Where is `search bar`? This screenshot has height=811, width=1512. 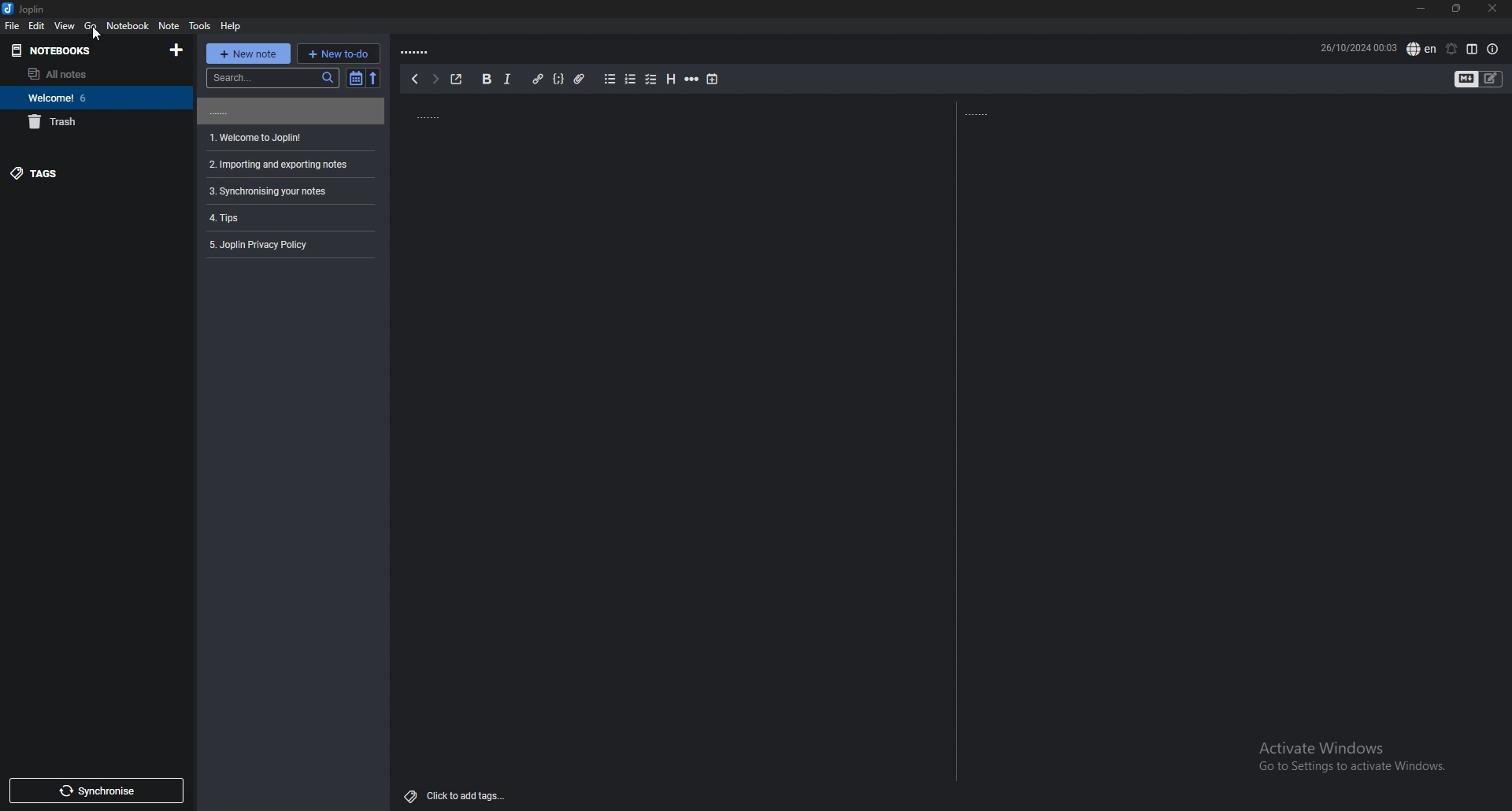
search bar is located at coordinates (272, 77).